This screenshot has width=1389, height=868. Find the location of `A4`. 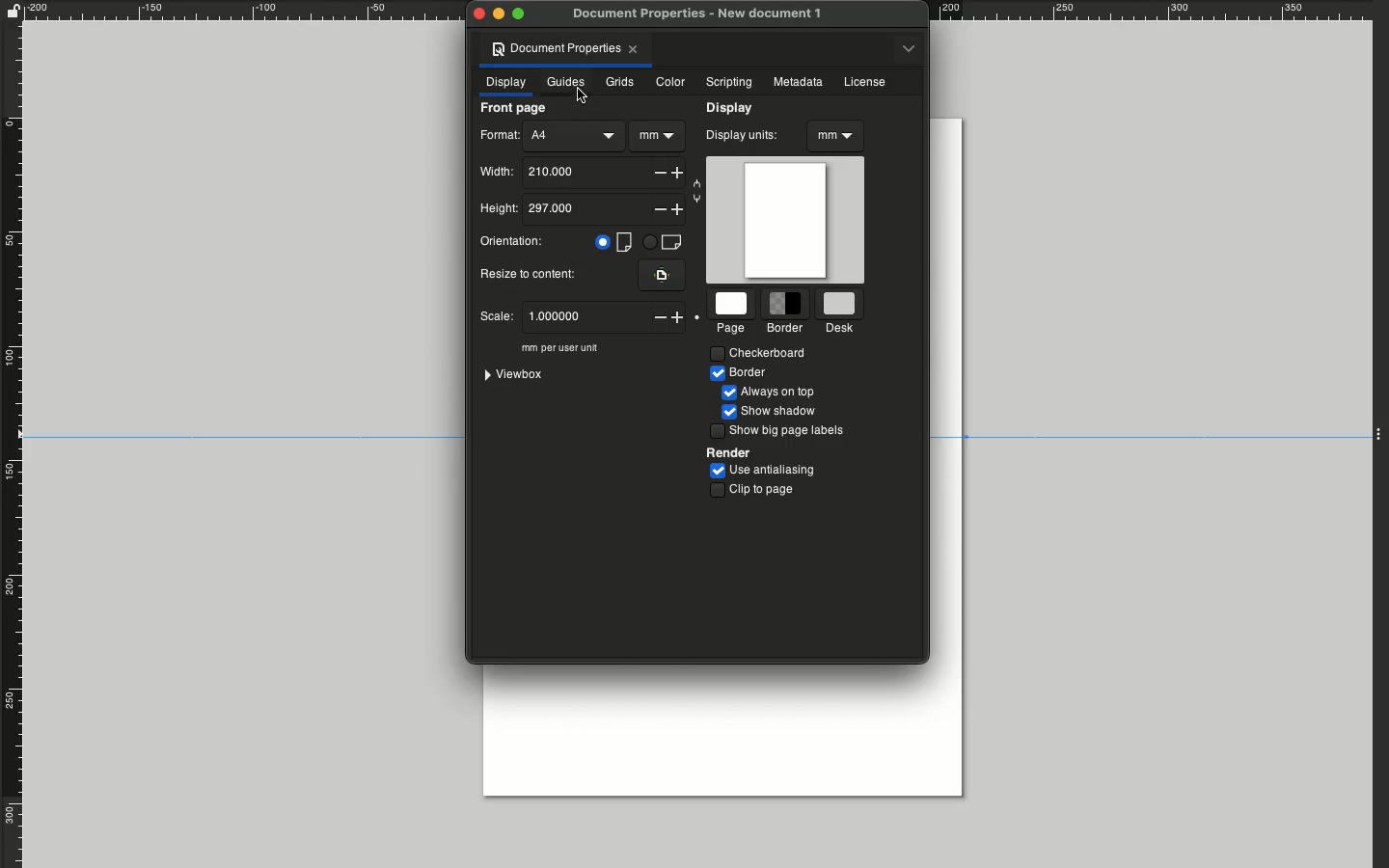

A4 is located at coordinates (573, 139).